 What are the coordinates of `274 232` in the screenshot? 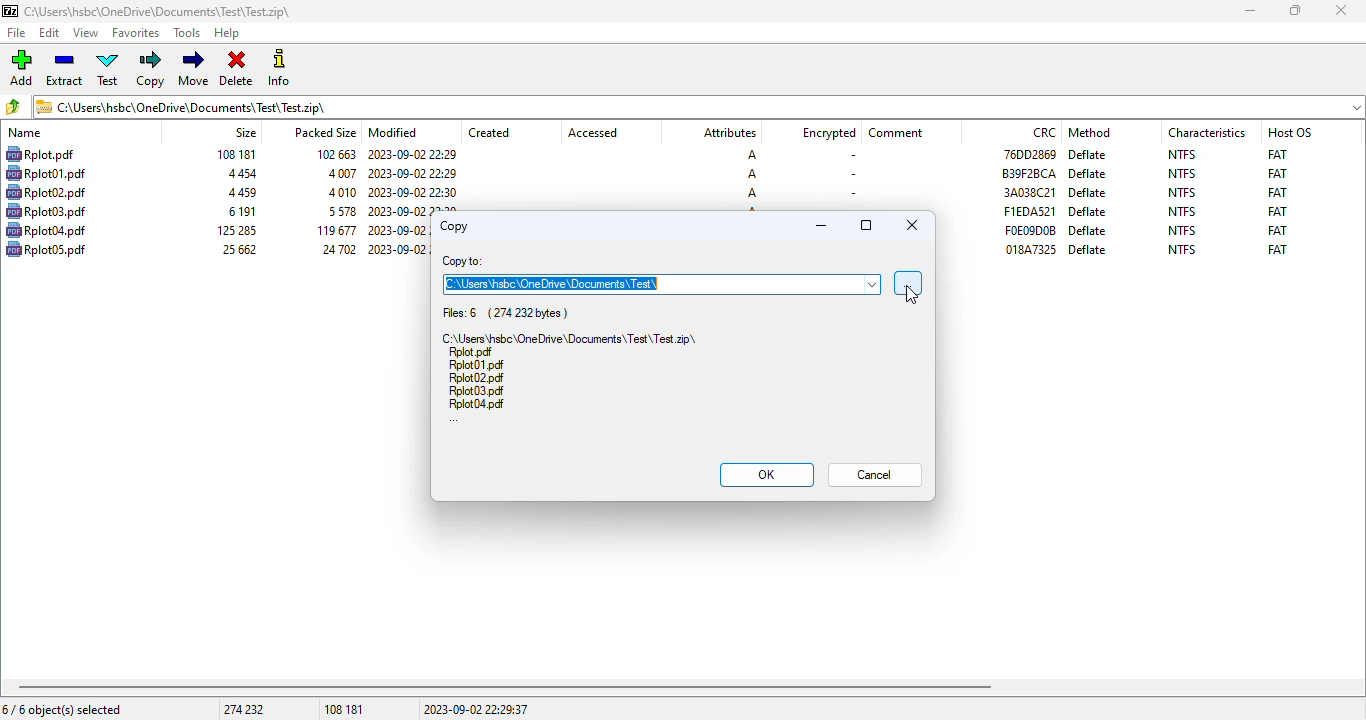 It's located at (243, 709).